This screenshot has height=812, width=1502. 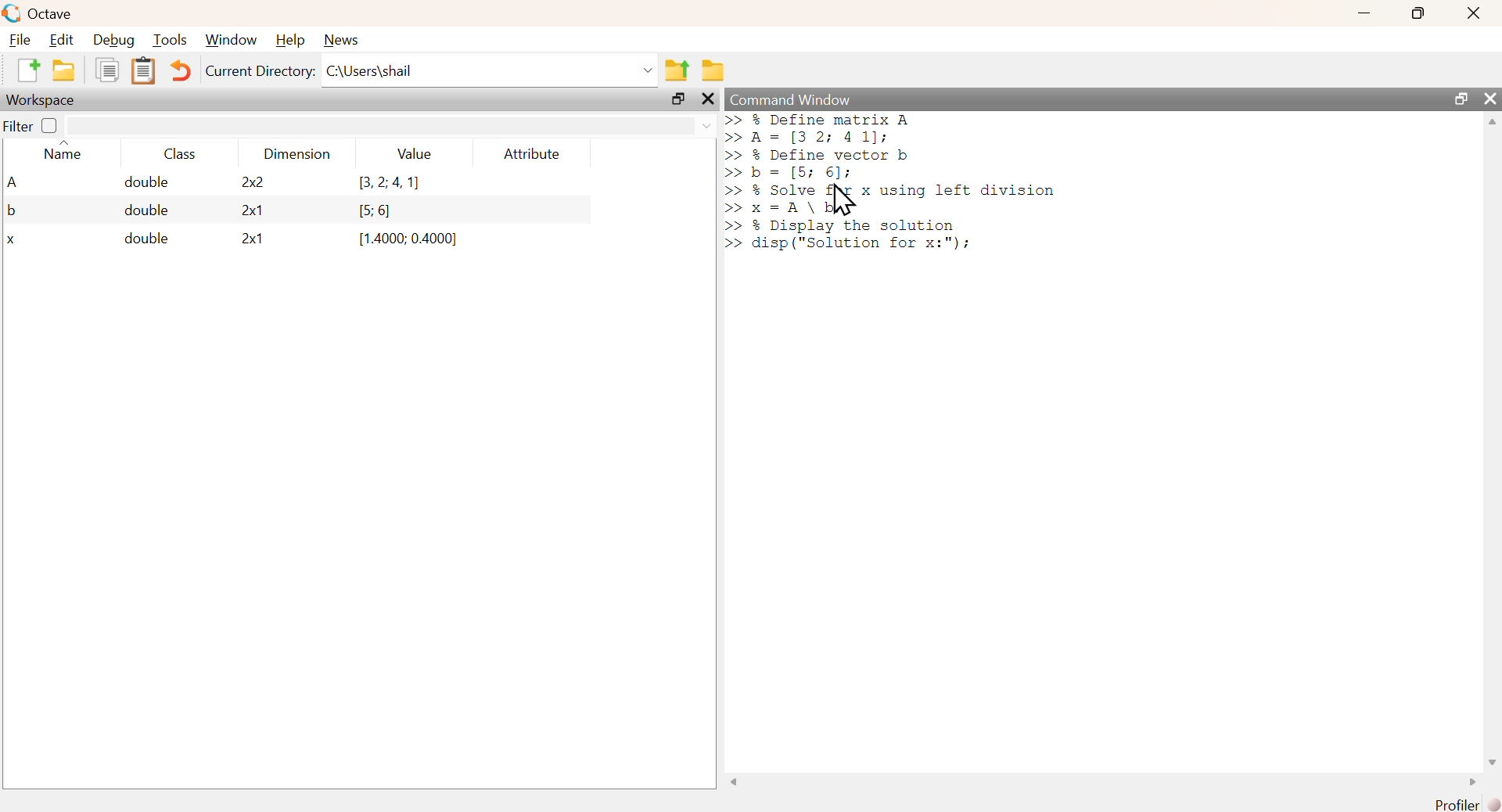 What do you see at coordinates (1490, 98) in the screenshot?
I see `close` at bounding box center [1490, 98].